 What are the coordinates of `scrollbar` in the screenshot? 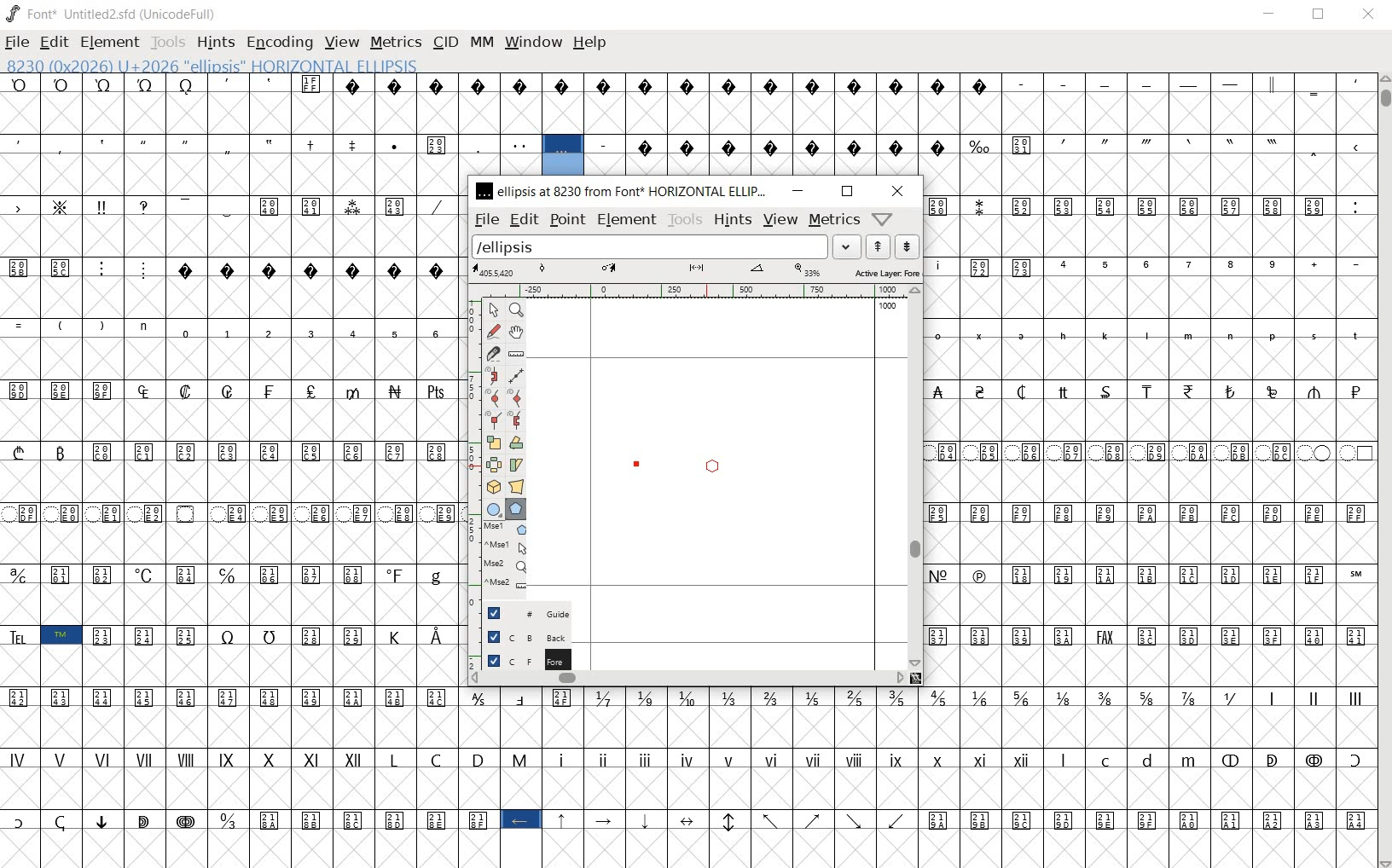 It's located at (915, 478).